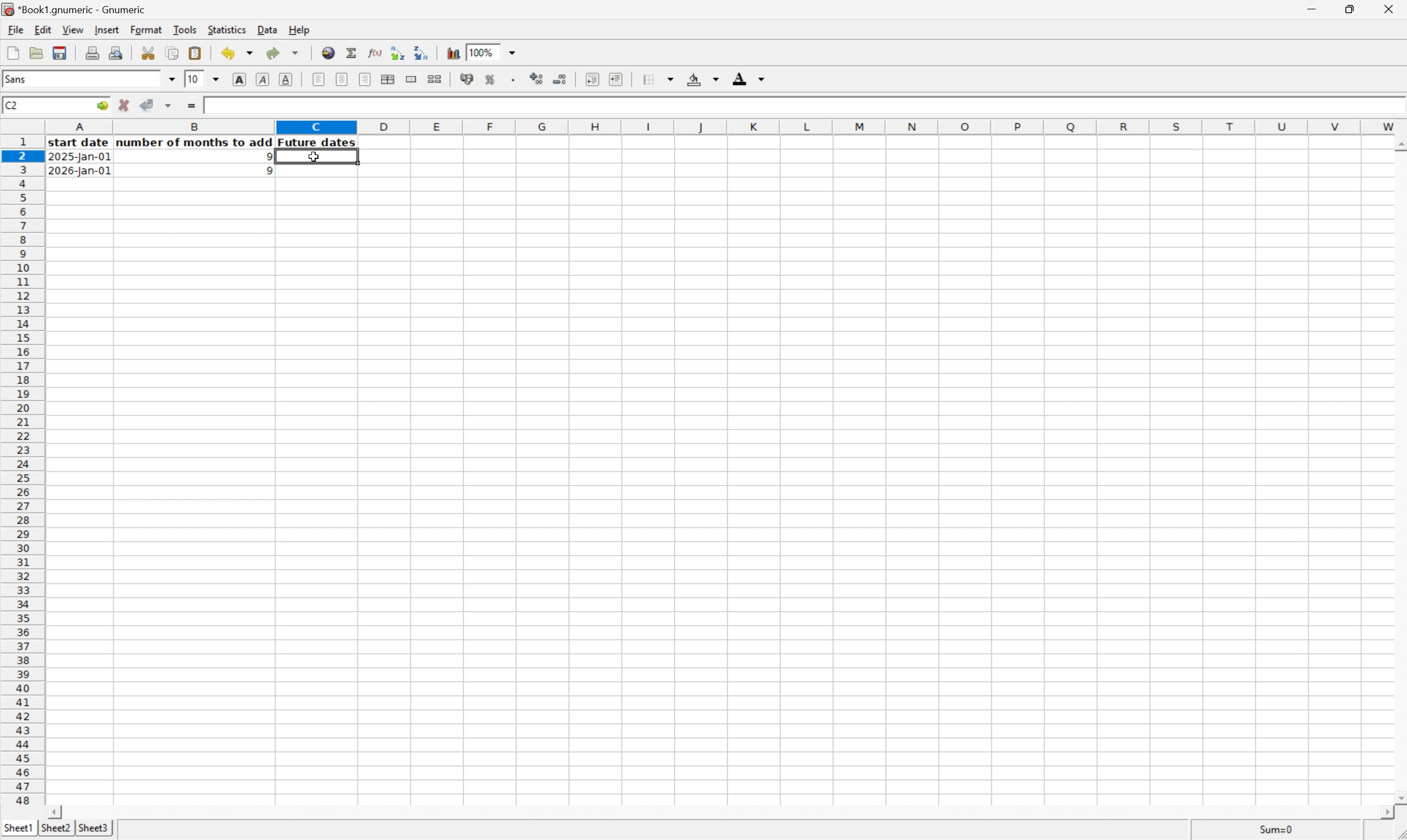 This screenshot has height=840, width=1407. What do you see at coordinates (172, 104) in the screenshot?
I see `Accept changes across selection` at bounding box center [172, 104].